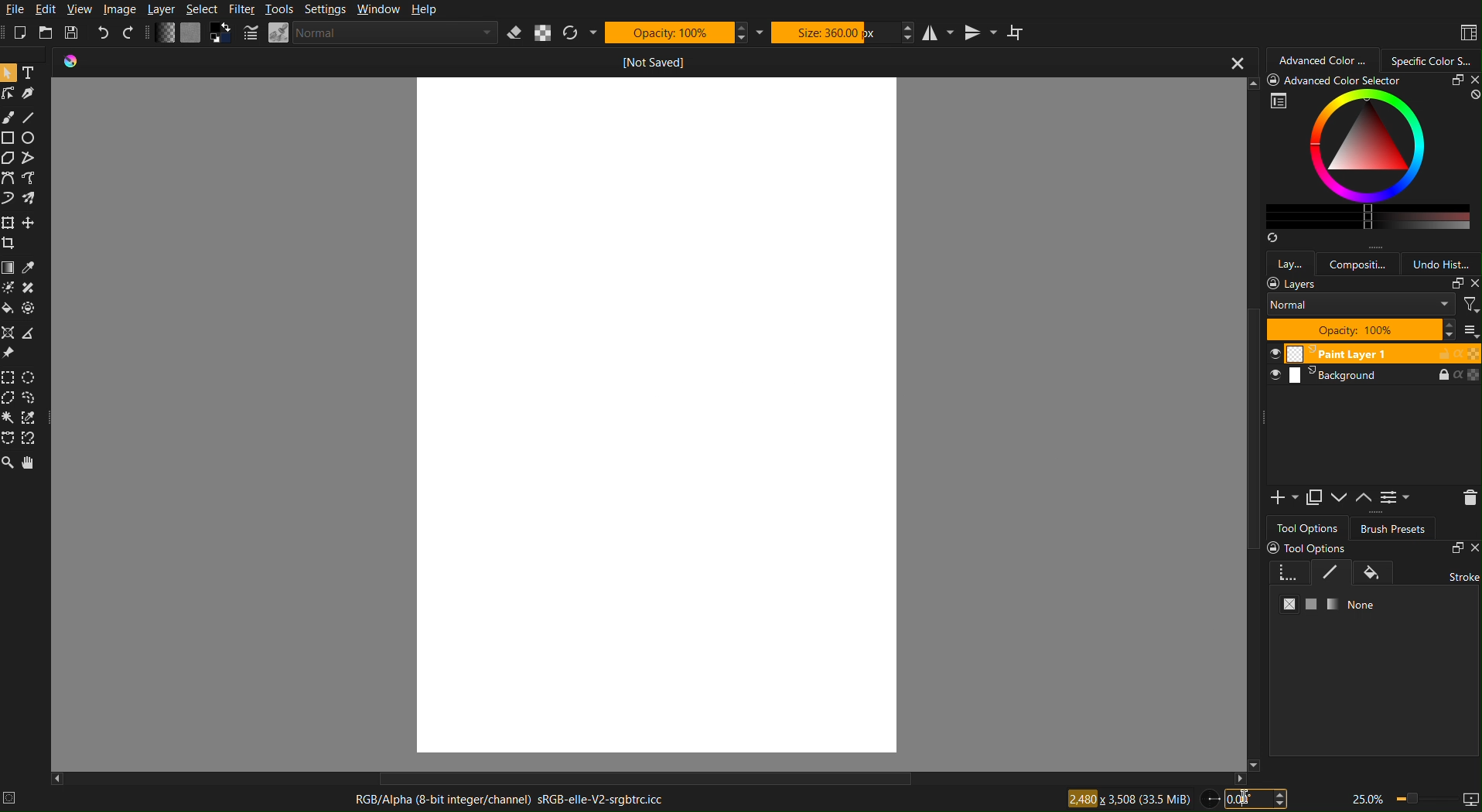  Describe the element at coordinates (80, 9) in the screenshot. I see `View` at that location.